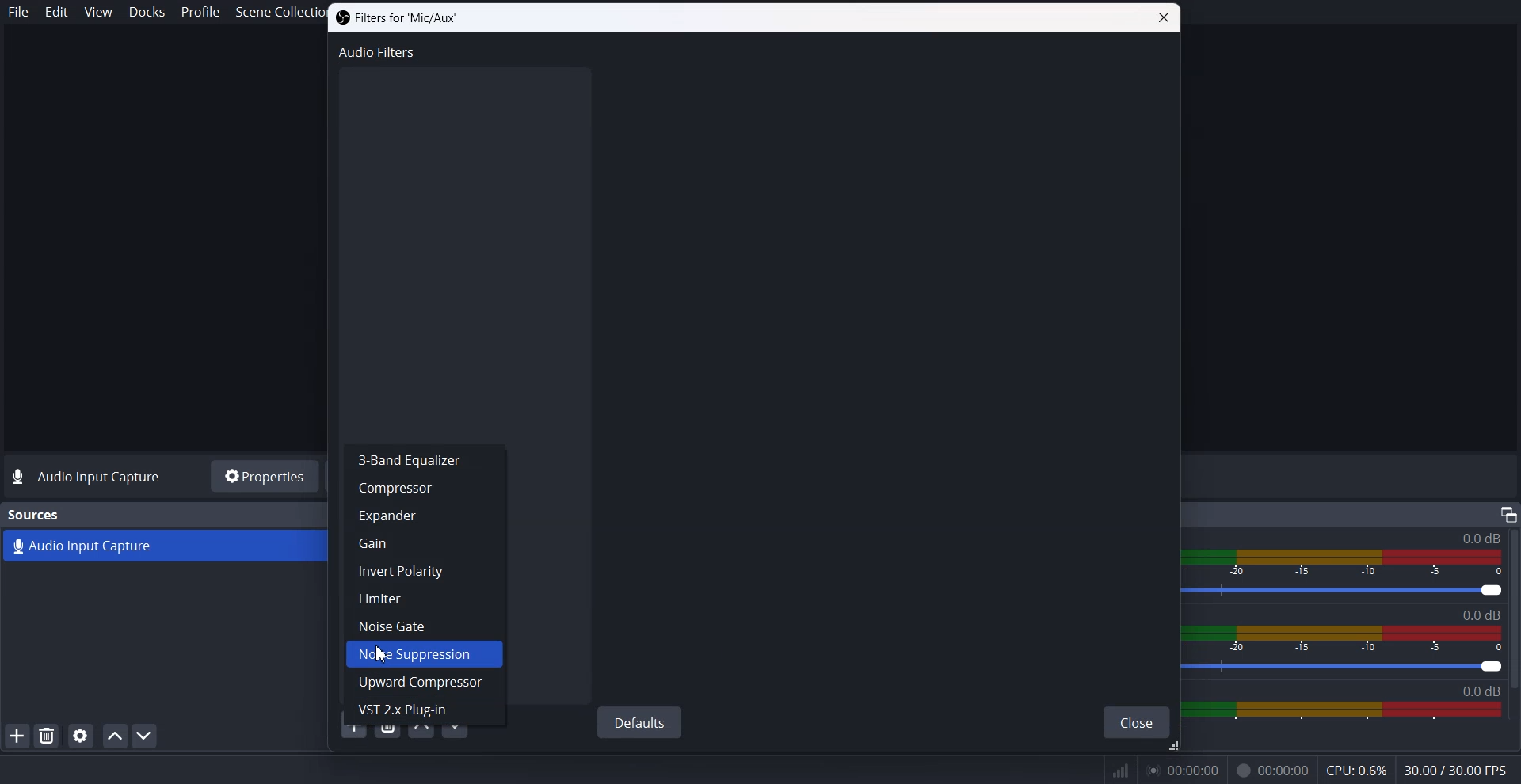 The height and width of the screenshot is (784, 1521). I want to click on Volume Indicator, so click(1351, 560).